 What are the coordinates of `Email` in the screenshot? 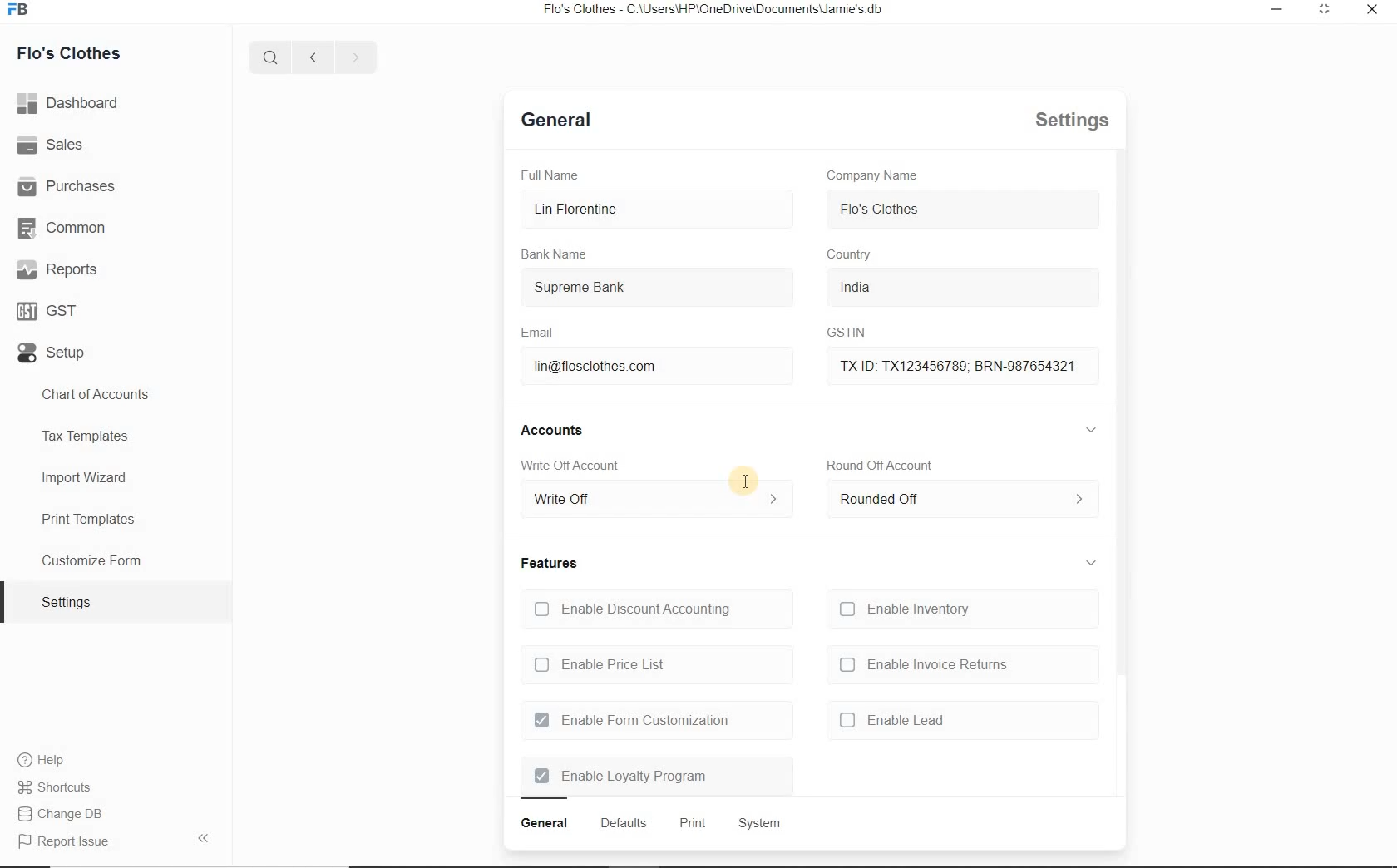 It's located at (541, 331).